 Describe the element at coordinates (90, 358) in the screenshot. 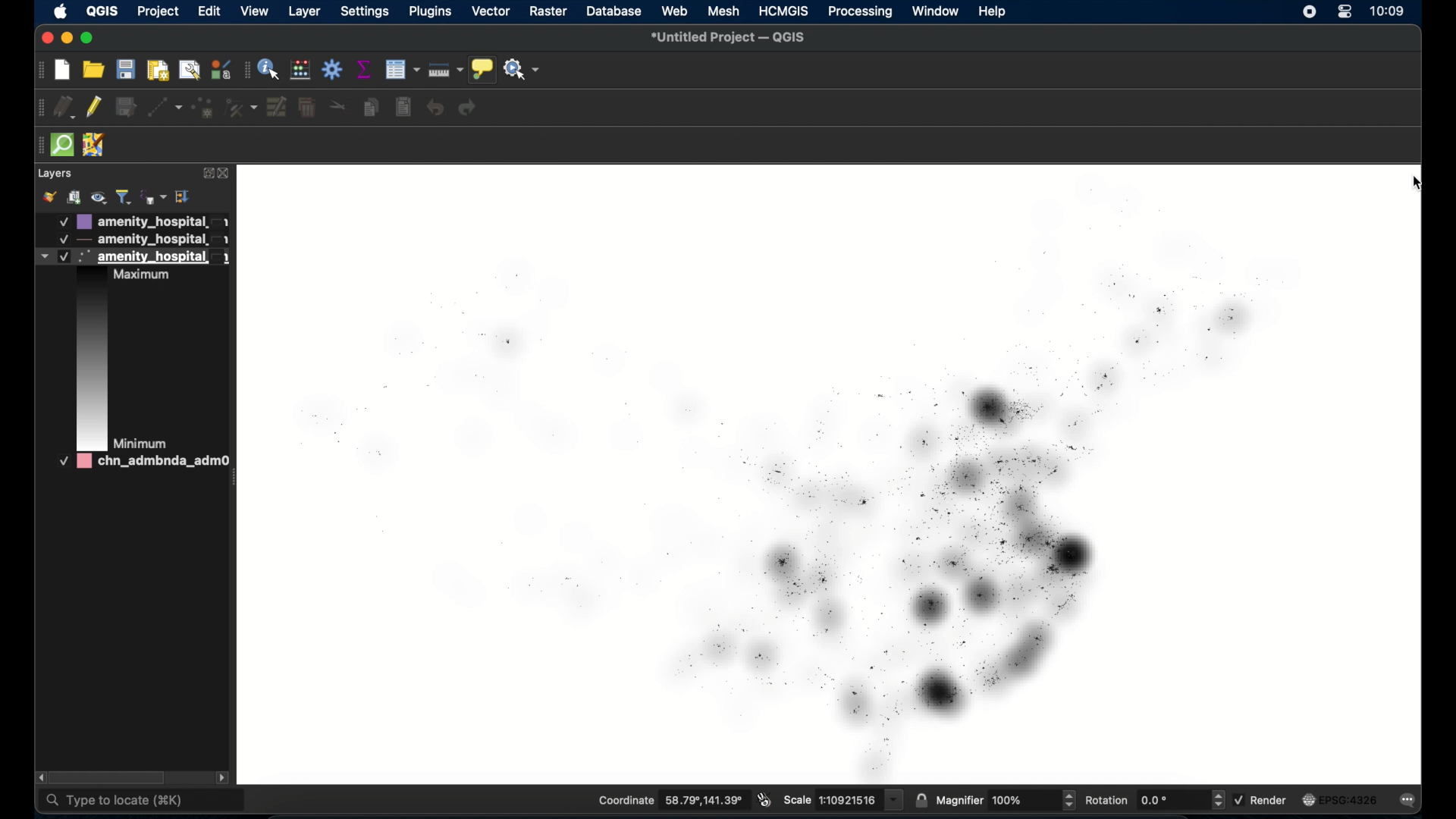

I see `color scheme` at that location.